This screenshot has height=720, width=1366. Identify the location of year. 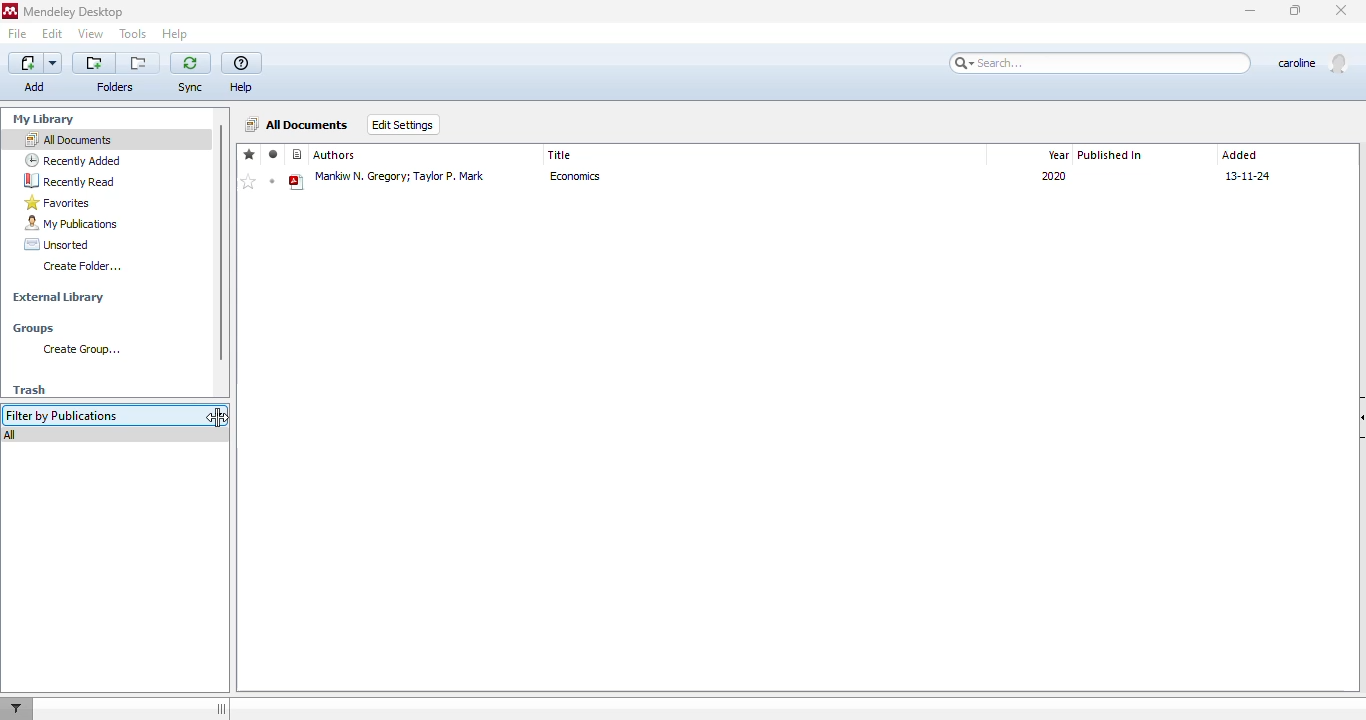
(1056, 154).